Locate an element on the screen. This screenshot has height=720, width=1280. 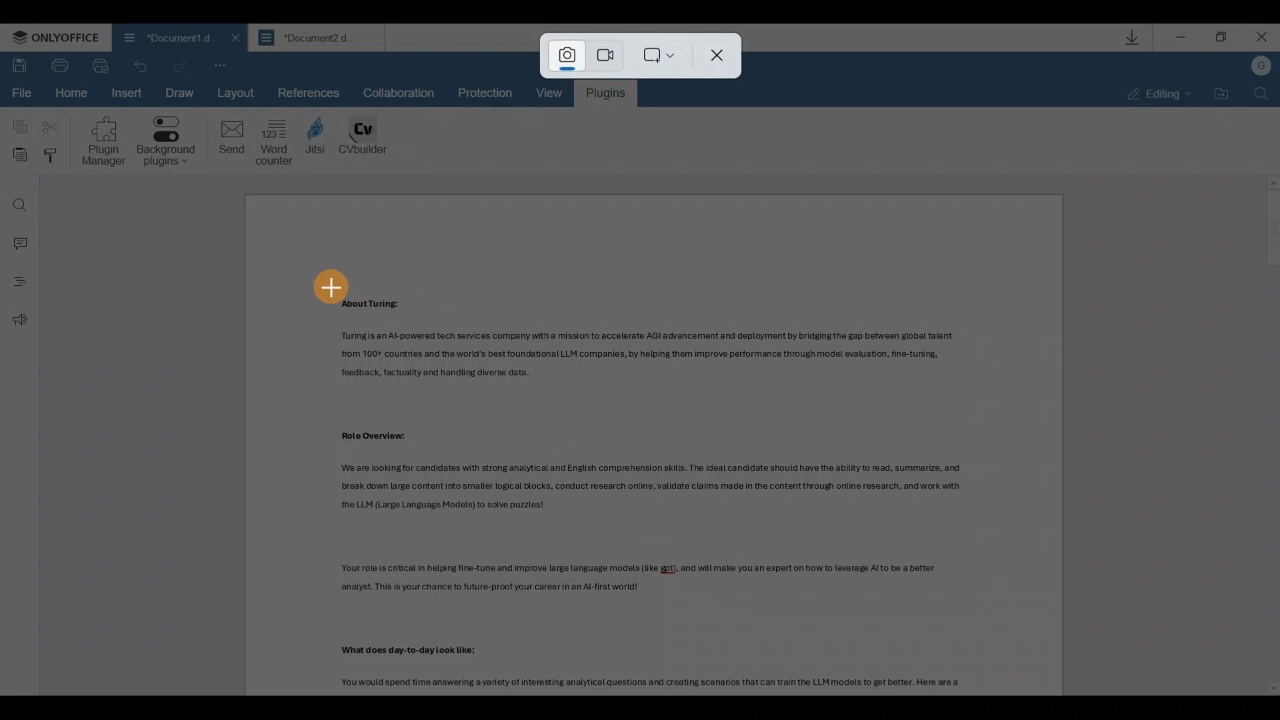
Background plugins is located at coordinates (166, 144).